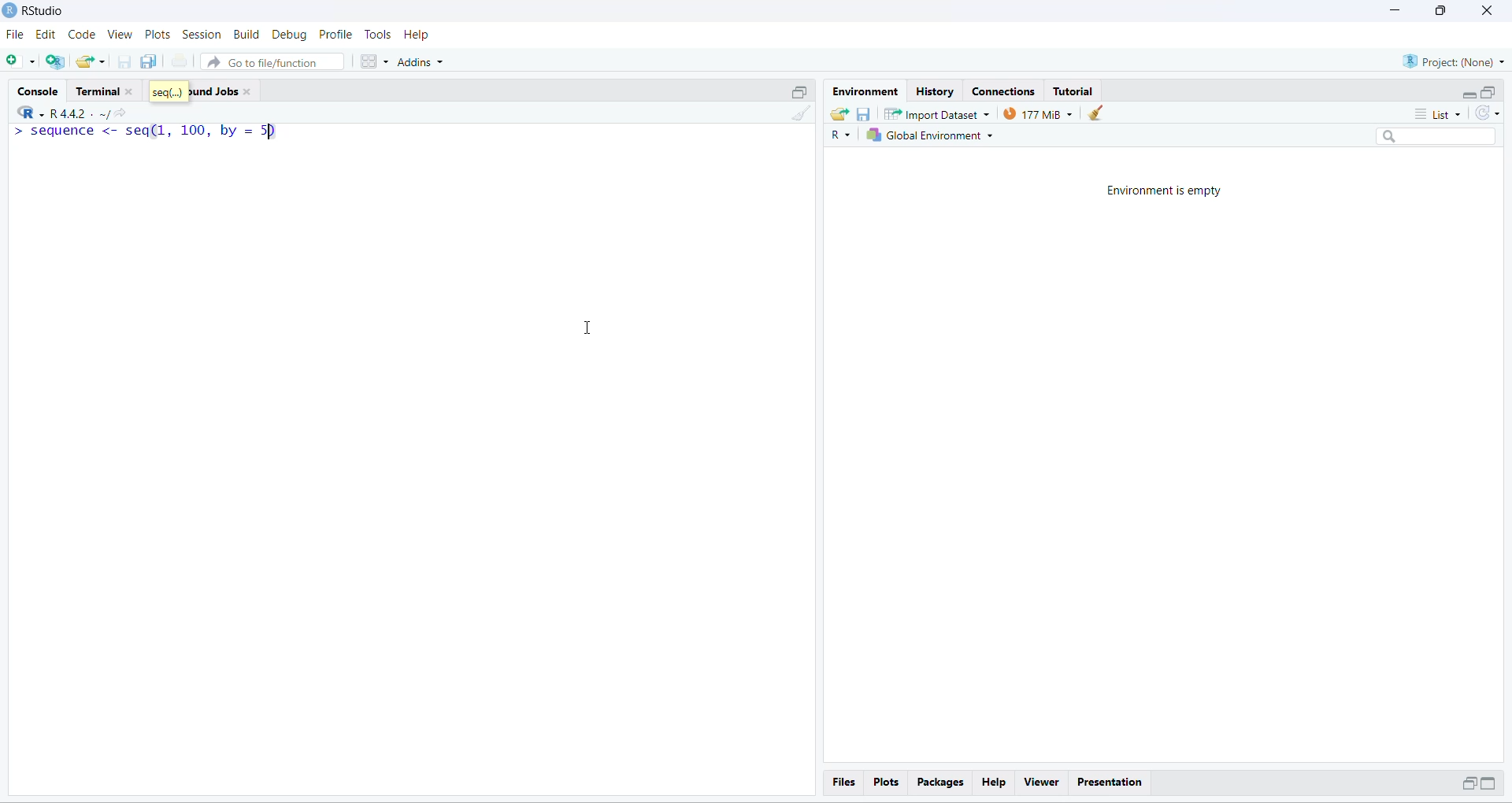 The width and height of the screenshot is (1512, 803). What do you see at coordinates (1074, 92) in the screenshot?
I see `tutorial` at bounding box center [1074, 92].